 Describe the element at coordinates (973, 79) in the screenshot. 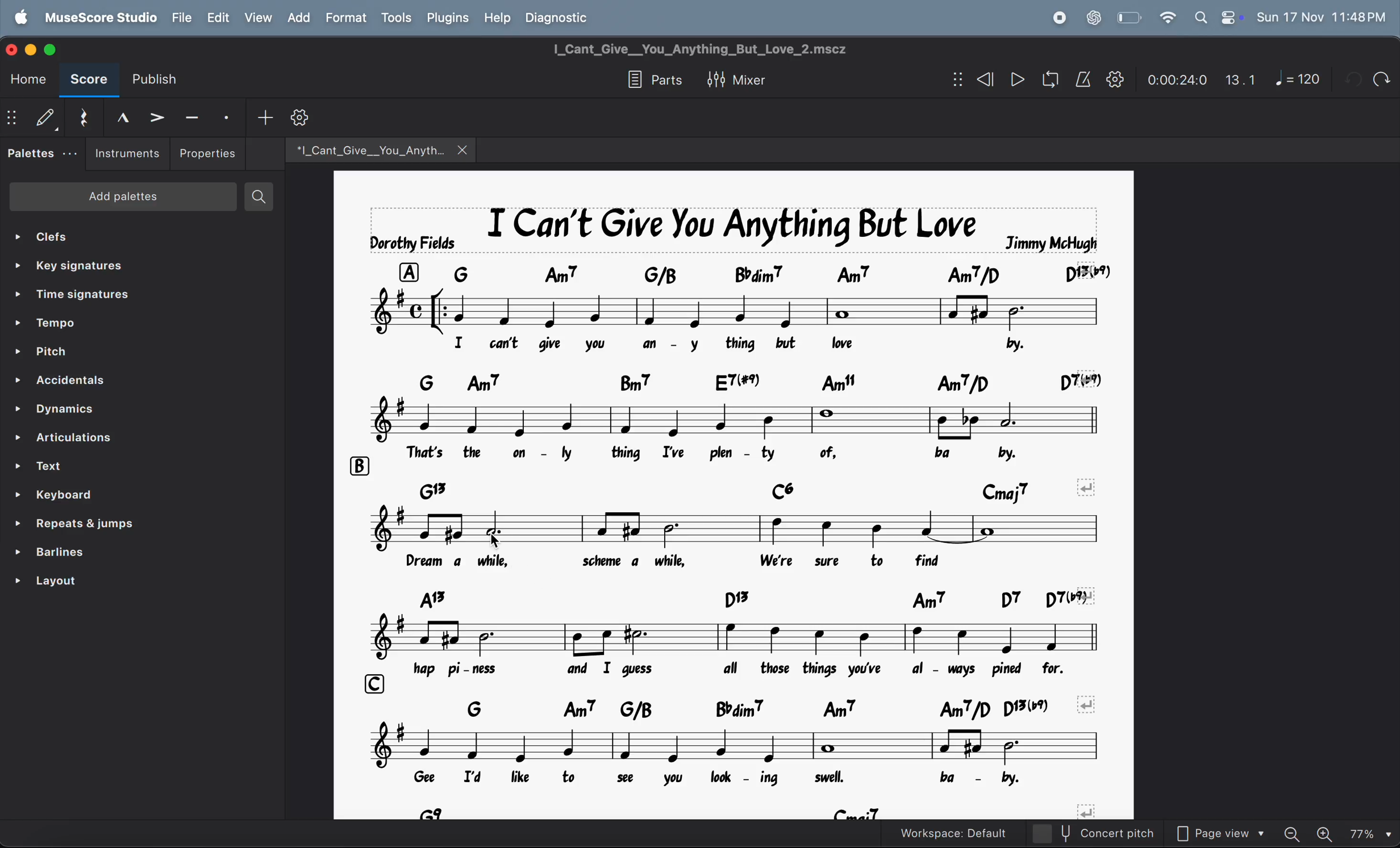

I see `rewind` at that location.